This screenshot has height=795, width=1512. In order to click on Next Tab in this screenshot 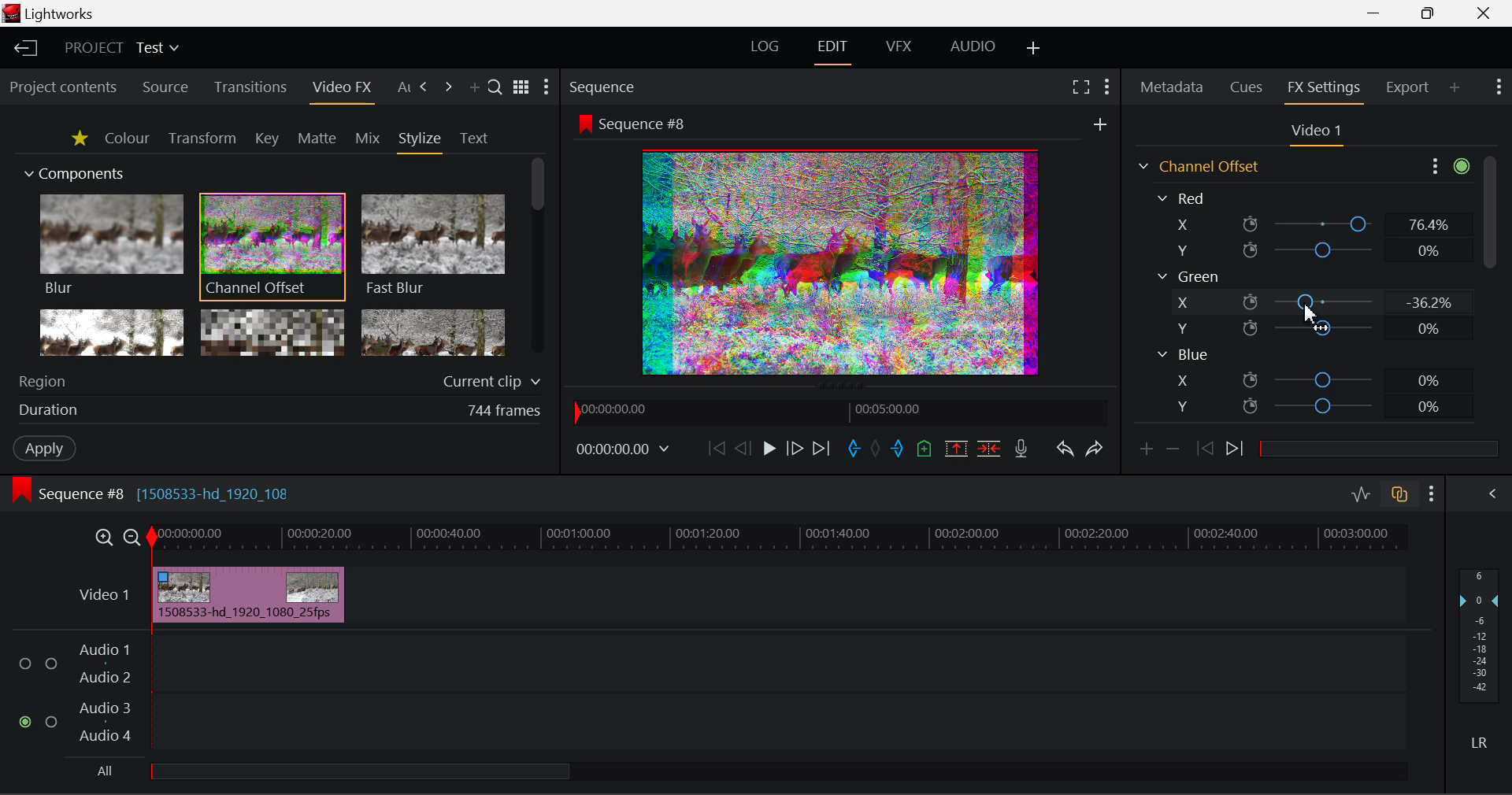, I will do `click(448, 87)`.